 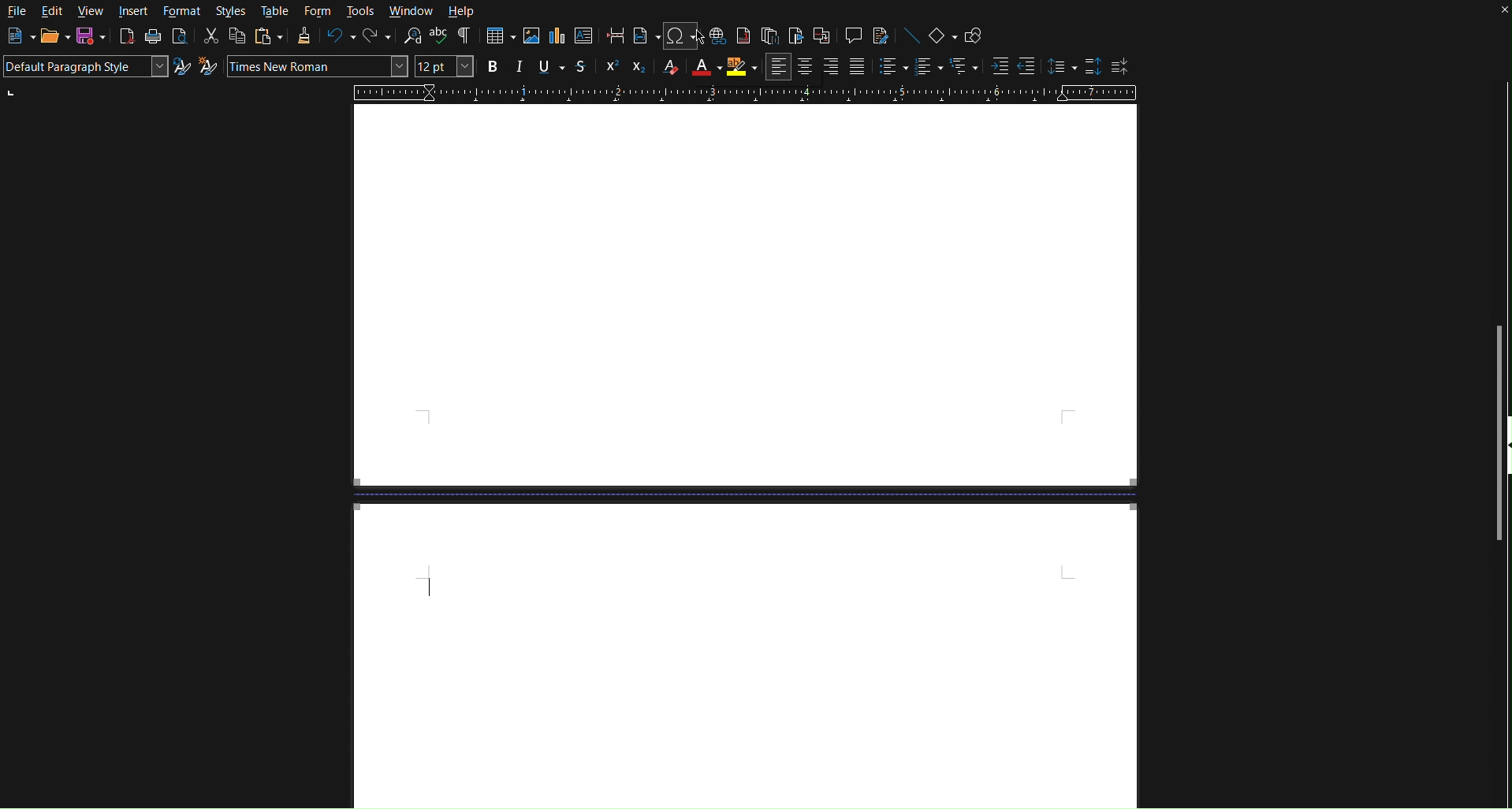 I want to click on Table, so click(x=274, y=12).